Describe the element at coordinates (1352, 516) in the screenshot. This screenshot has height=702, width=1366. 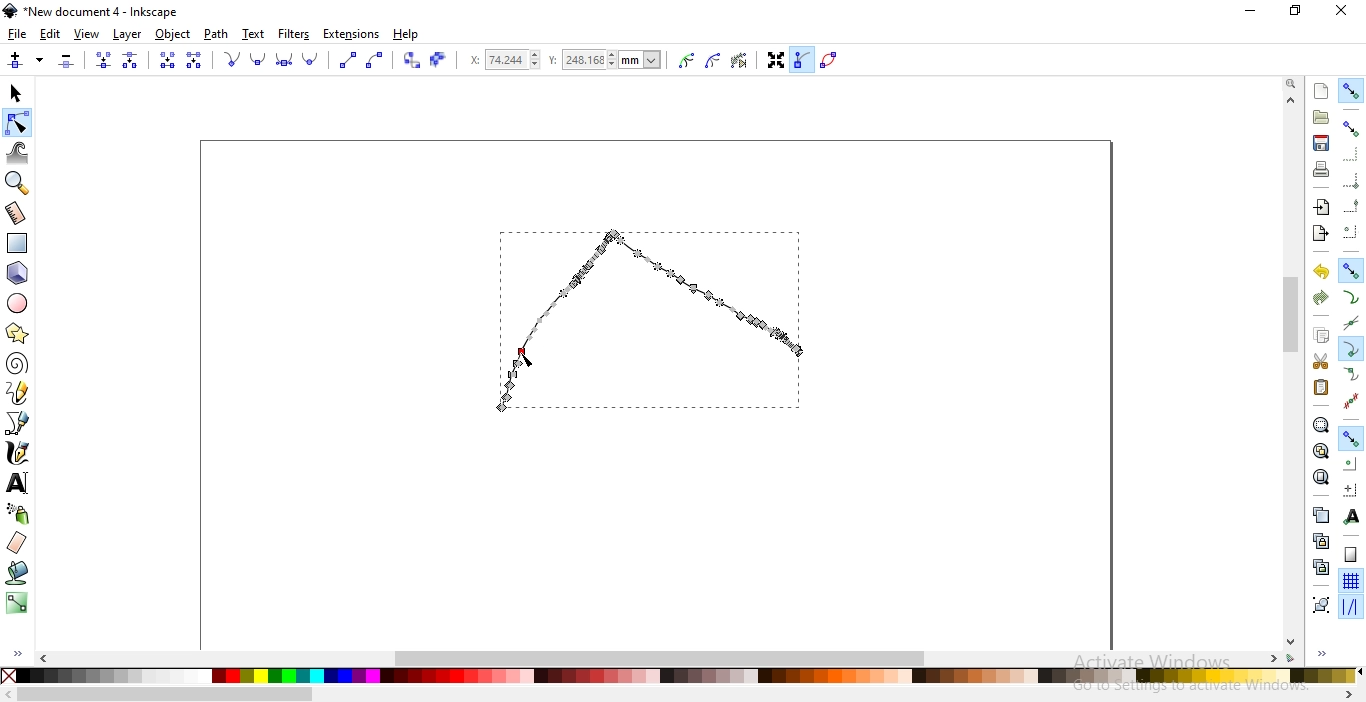
I see `snap text anchors and baseline` at that location.